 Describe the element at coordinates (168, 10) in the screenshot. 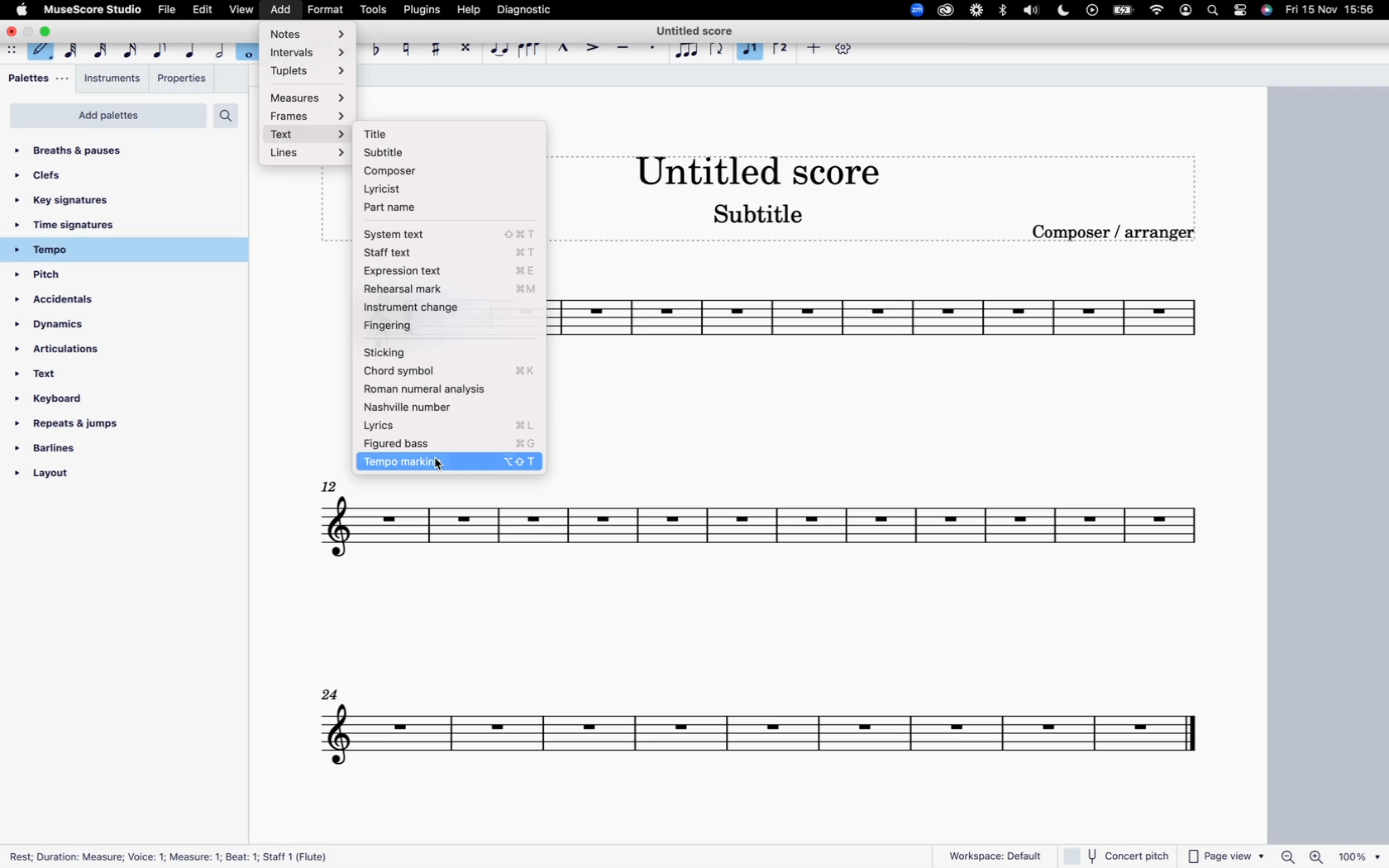

I see `file` at that location.